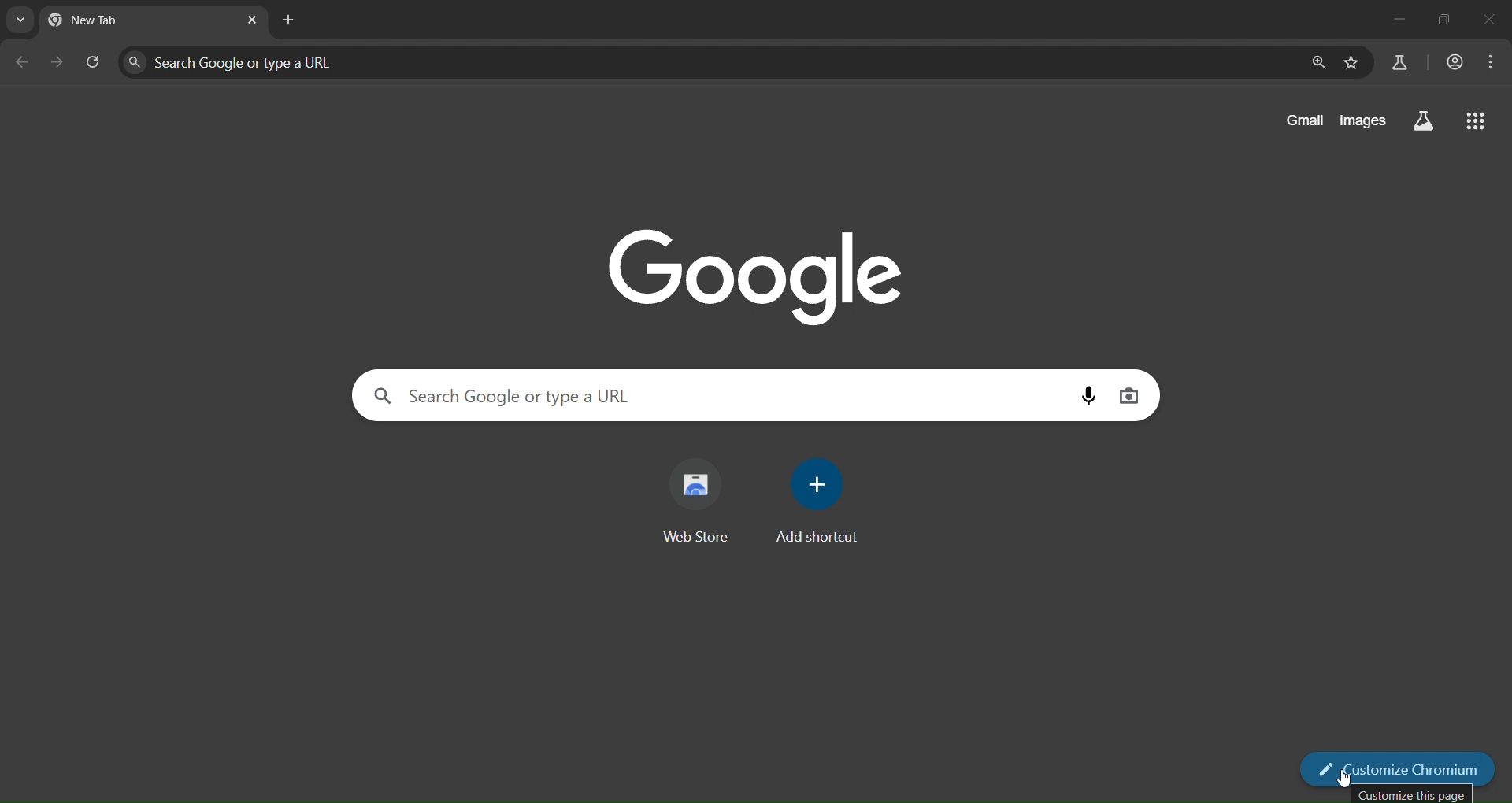 The image size is (1512, 803). I want to click on customize chromium, so click(1400, 767).